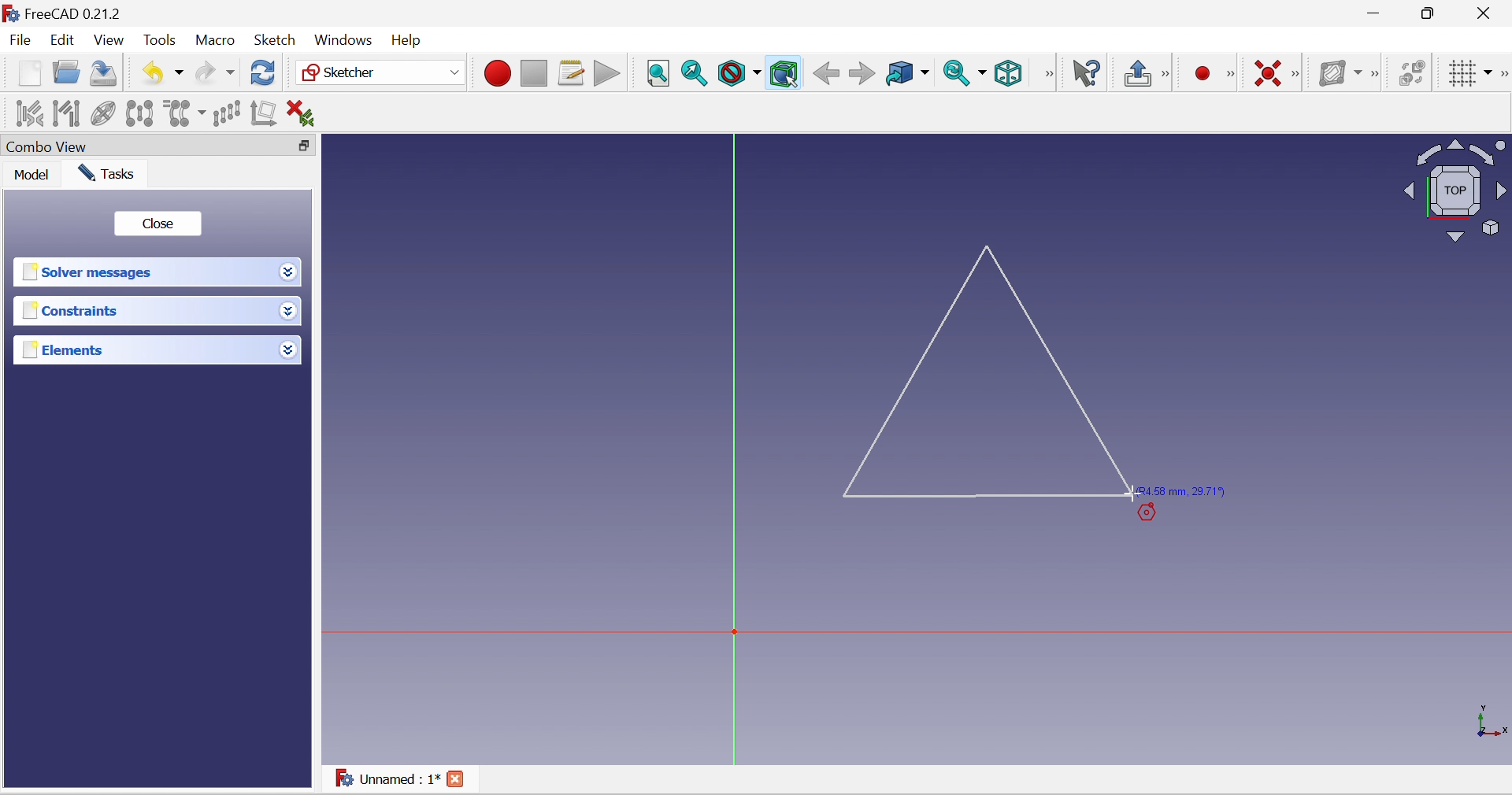  What do you see at coordinates (695, 74) in the screenshot?
I see `Fit selection` at bounding box center [695, 74].